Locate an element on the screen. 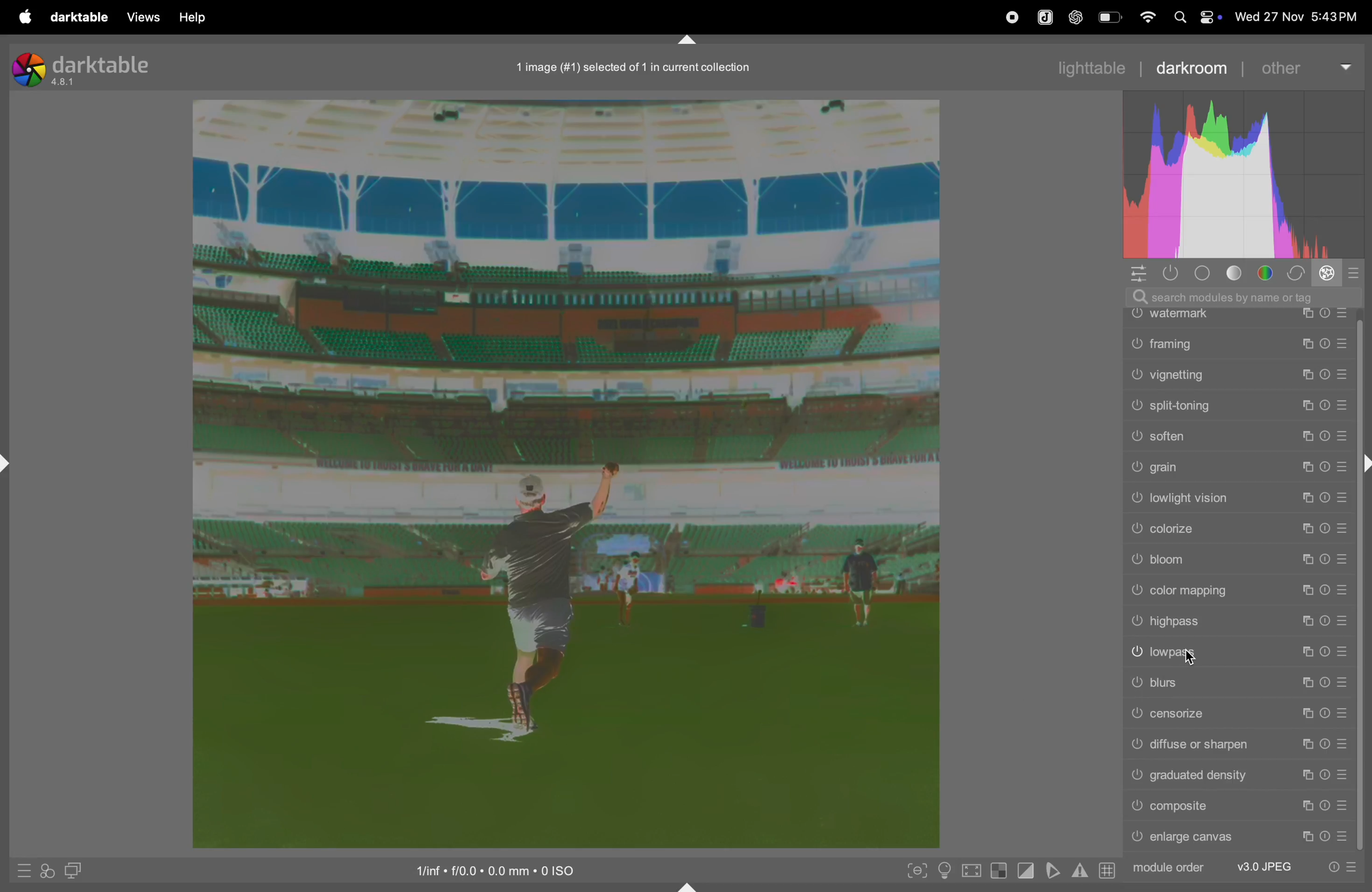  enlarge canvas is located at coordinates (1235, 837).